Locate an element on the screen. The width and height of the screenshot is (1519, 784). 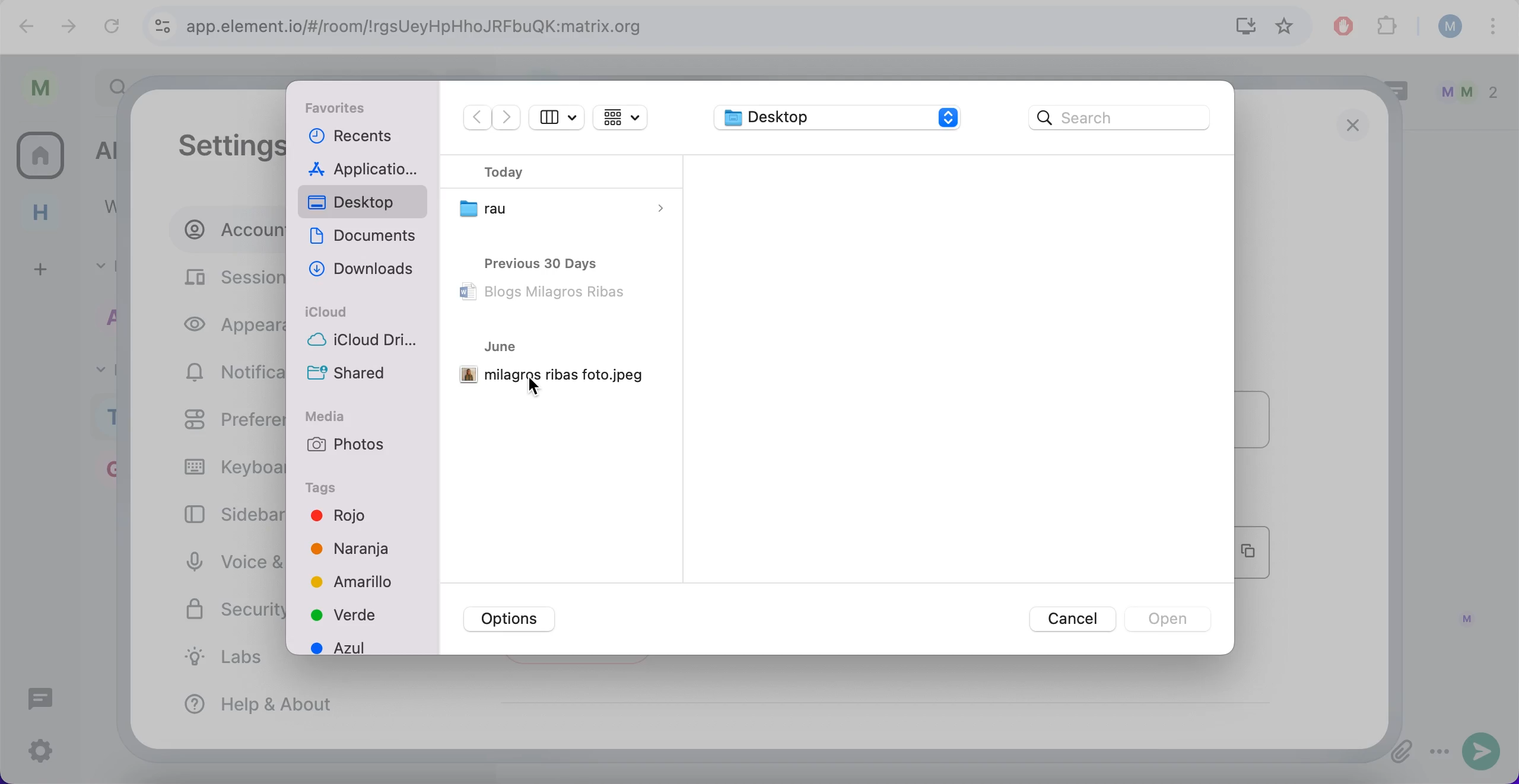
user is located at coordinates (40, 85).